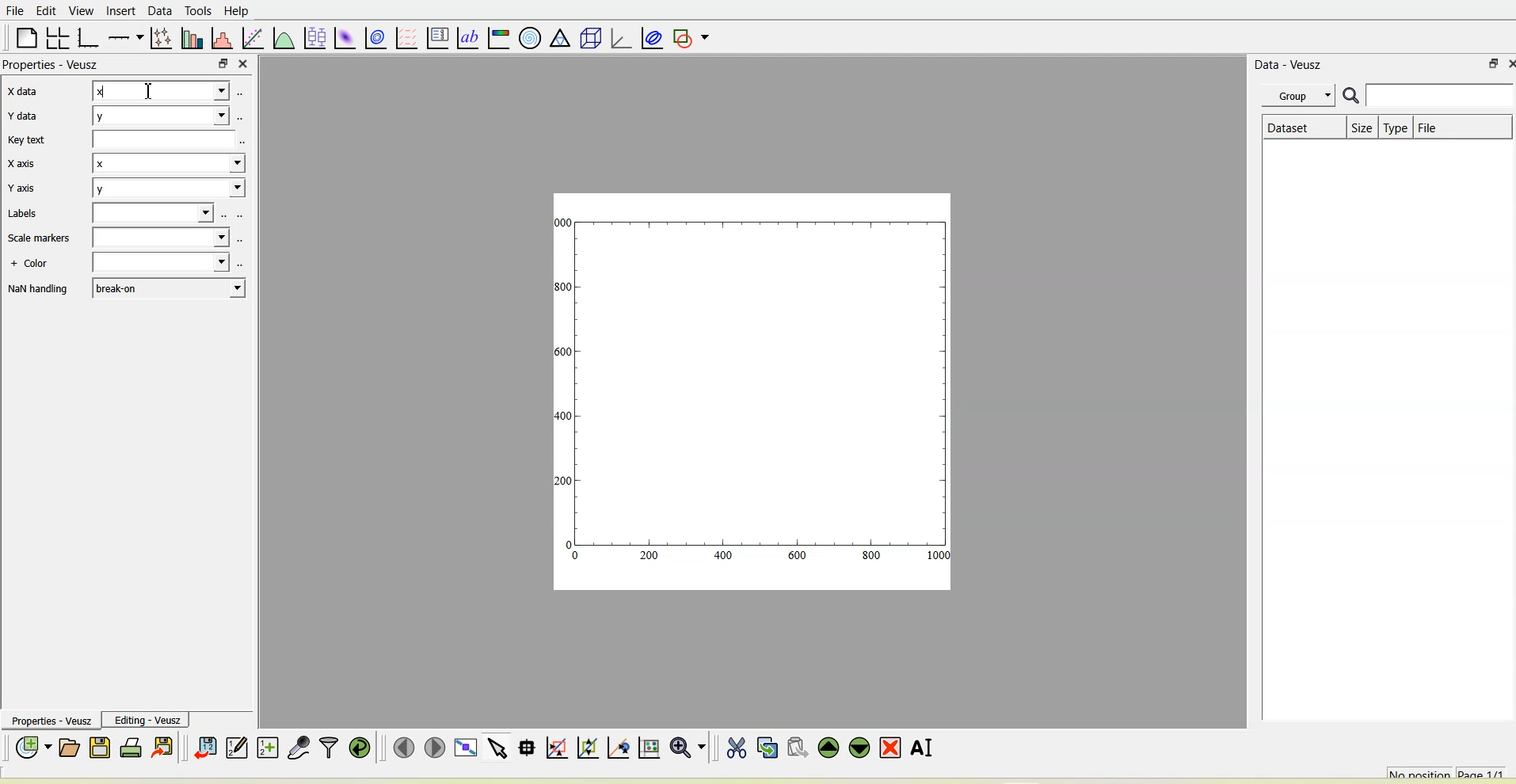 Image resolution: width=1516 pixels, height=784 pixels. Describe the element at coordinates (29, 140) in the screenshot. I see `Key text` at that location.